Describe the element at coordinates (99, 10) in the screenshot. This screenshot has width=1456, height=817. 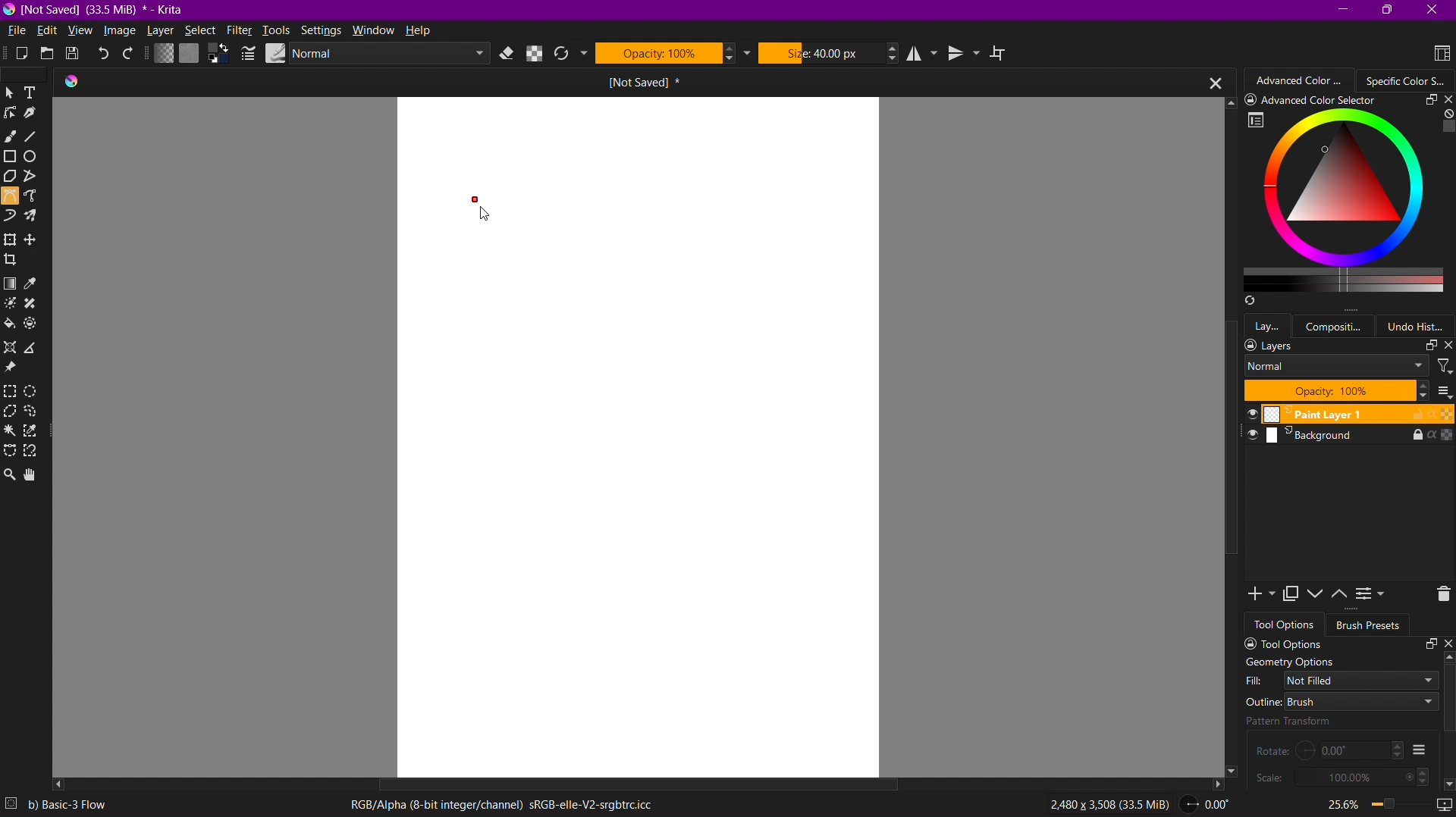
I see `Window Name` at that location.